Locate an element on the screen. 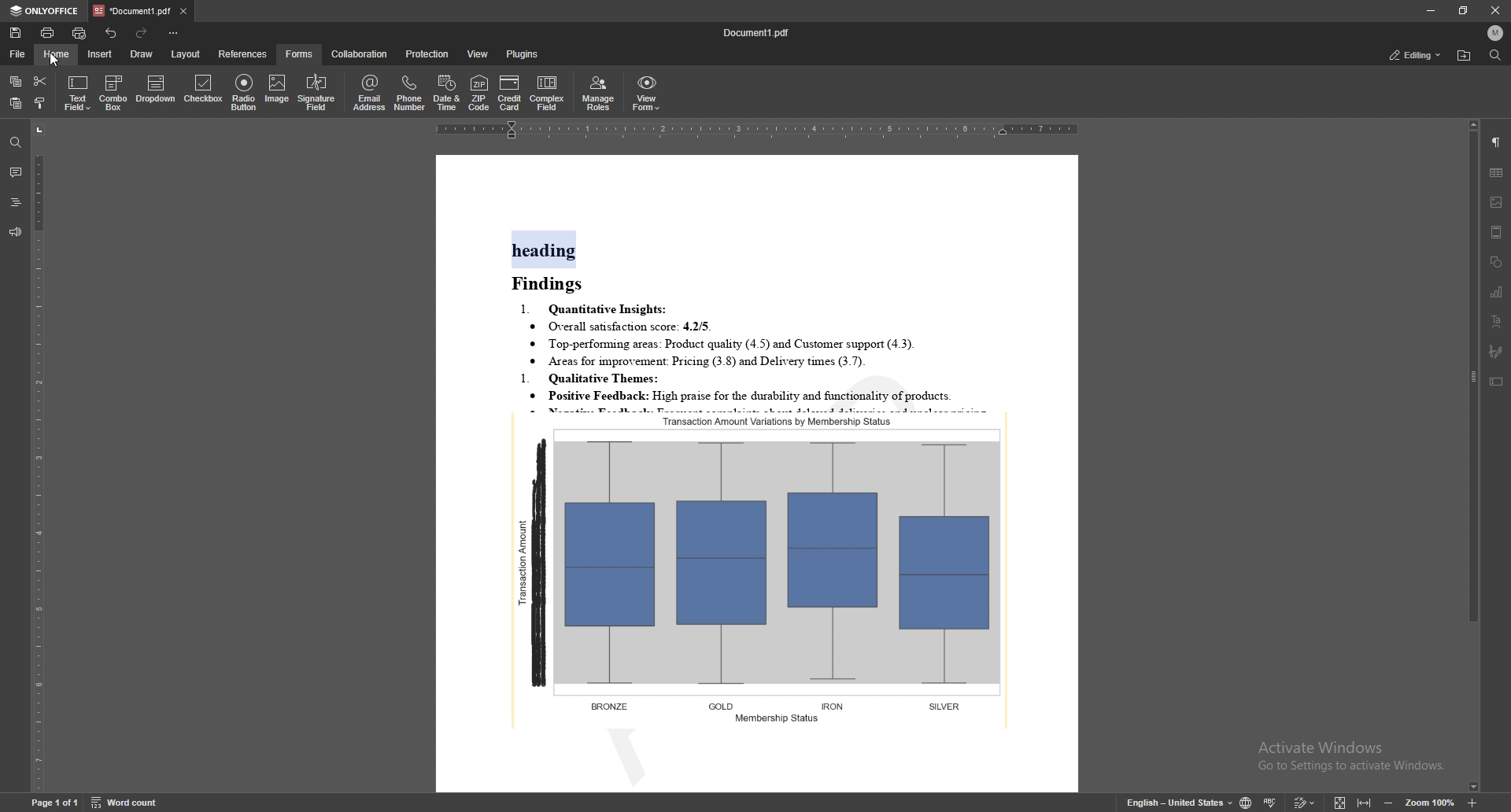 The height and width of the screenshot is (812, 1511). cut is located at coordinates (40, 79).